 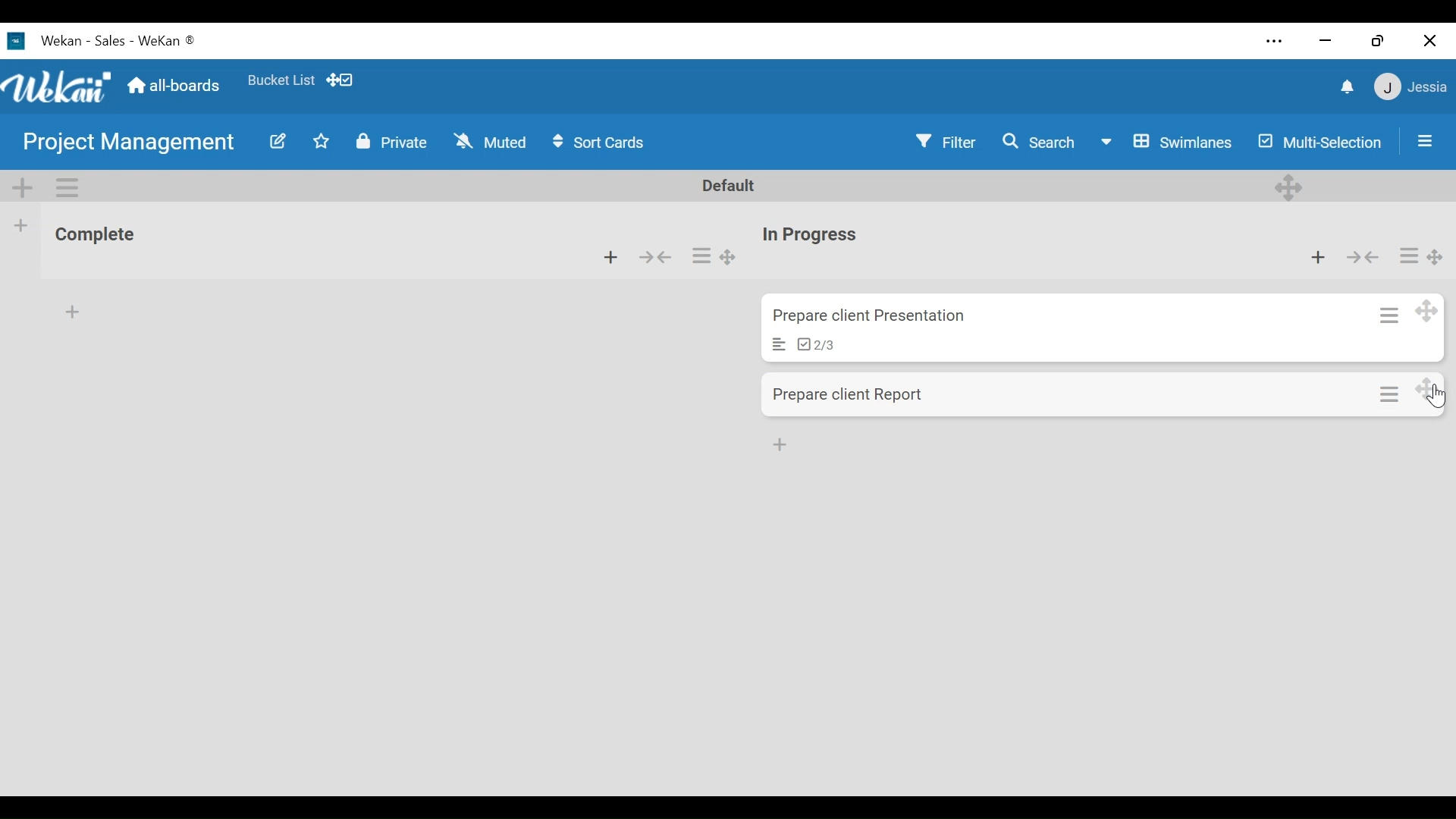 What do you see at coordinates (26, 186) in the screenshot?
I see `Add Swimlane` at bounding box center [26, 186].